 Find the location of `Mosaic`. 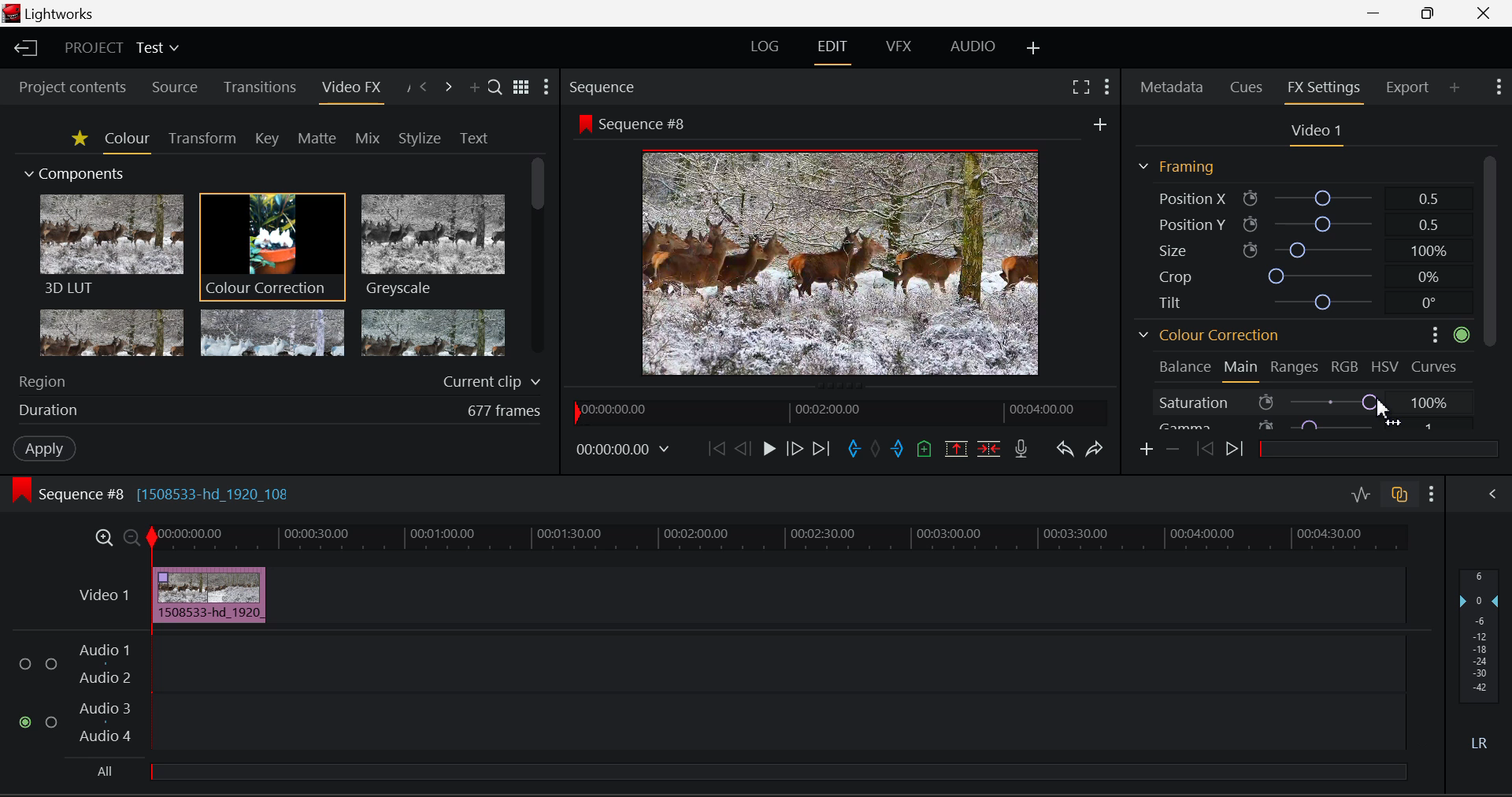

Mosaic is located at coordinates (270, 332).